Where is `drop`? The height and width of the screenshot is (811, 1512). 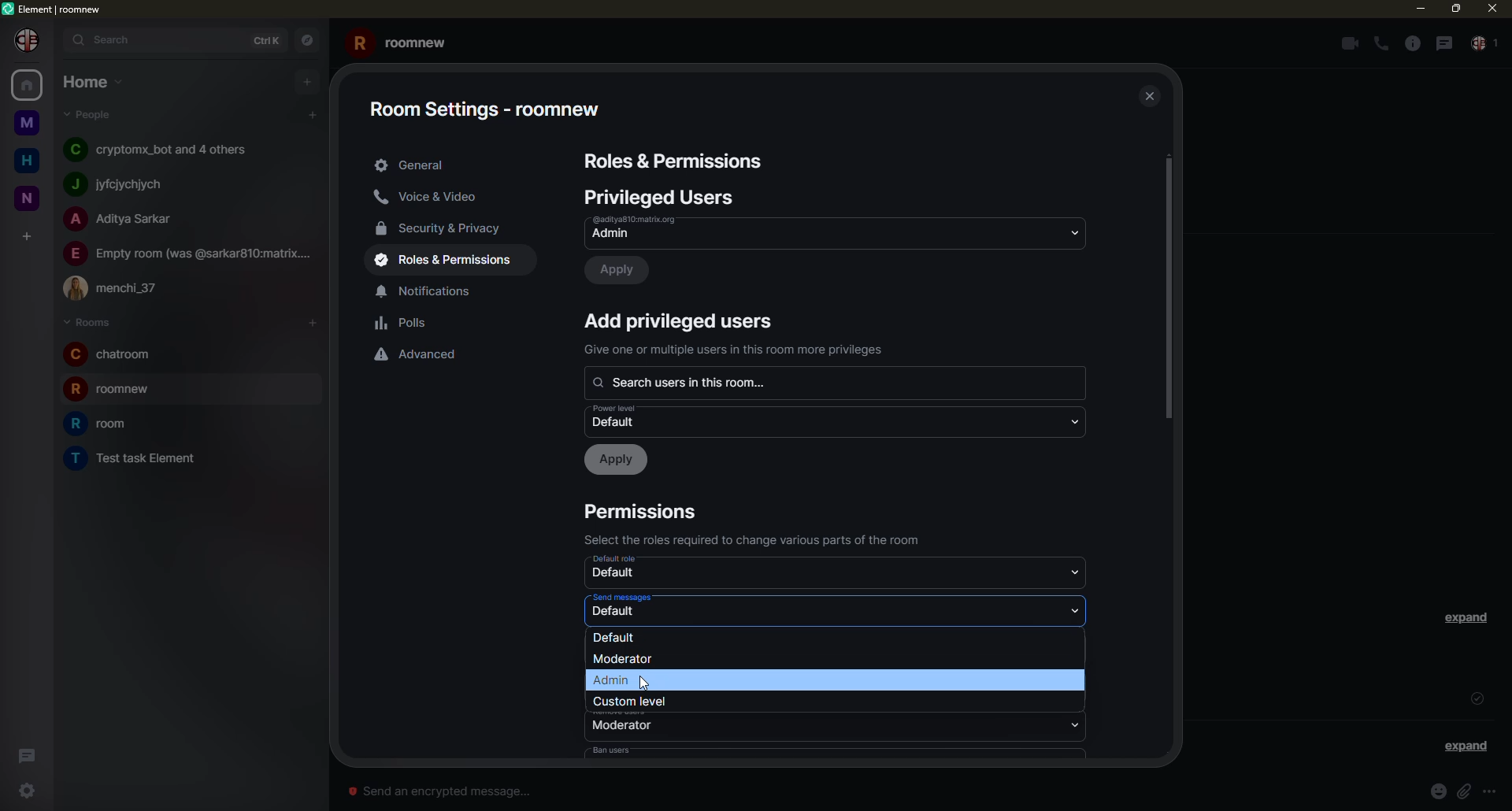
drop is located at coordinates (1077, 572).